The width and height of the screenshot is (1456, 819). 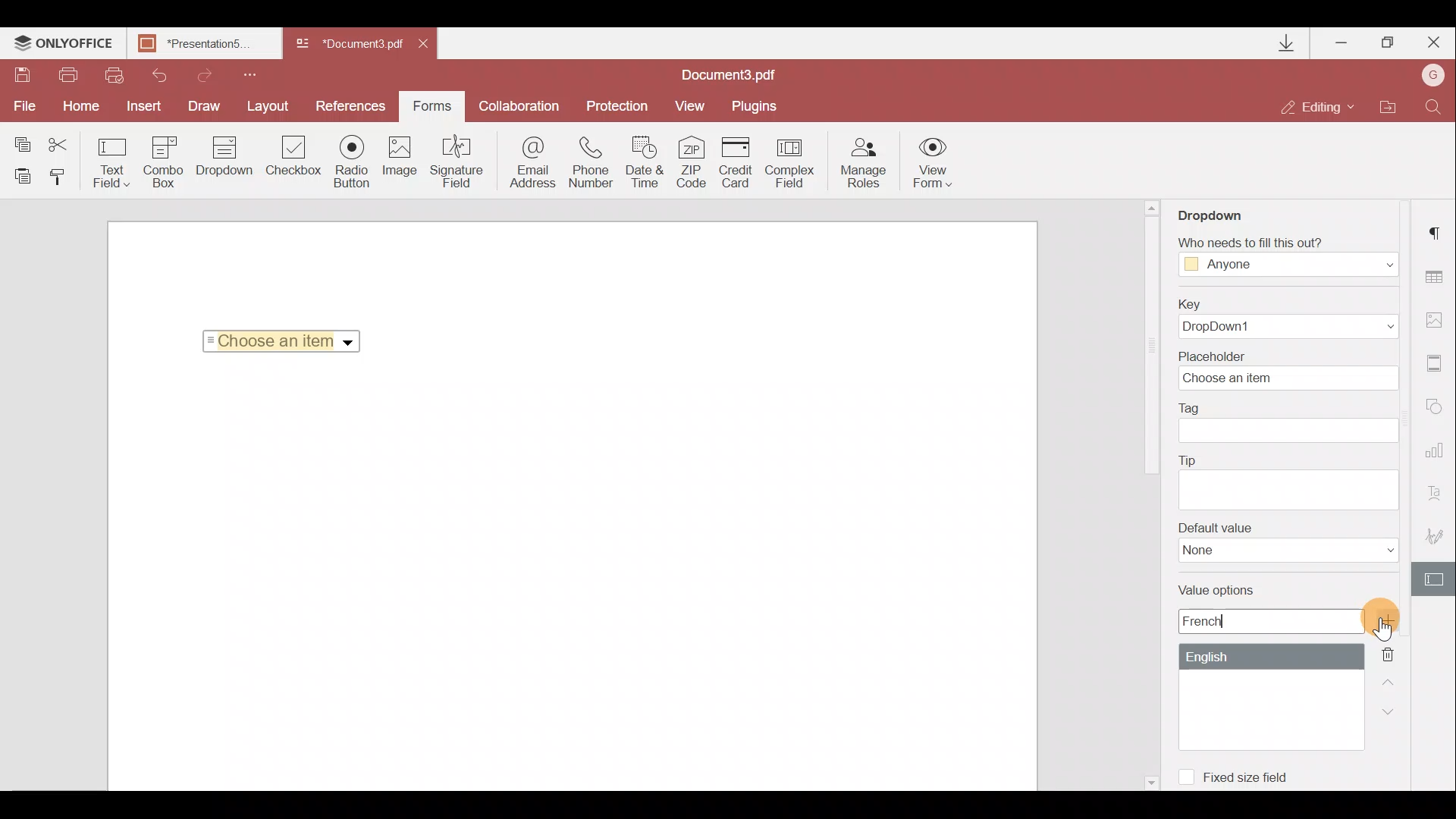 What do you see at coordinates (1392, 680) in the screenshot?
I see `Up` at bounding box center [1392, 680].